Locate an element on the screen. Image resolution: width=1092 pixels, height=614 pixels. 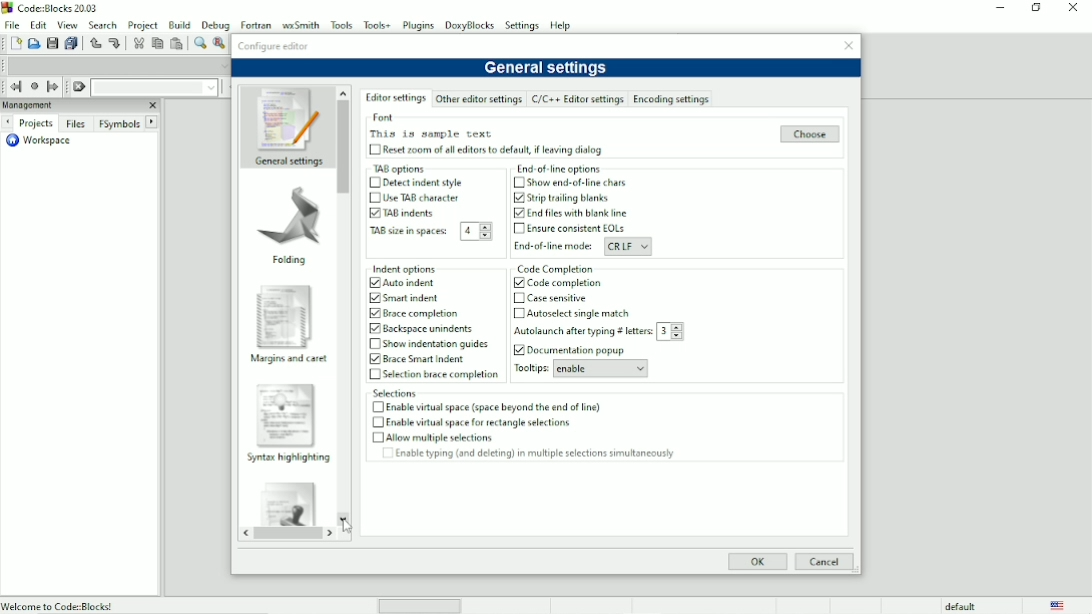
Ensure consistent EOLs is located at coordinates (580, 228).